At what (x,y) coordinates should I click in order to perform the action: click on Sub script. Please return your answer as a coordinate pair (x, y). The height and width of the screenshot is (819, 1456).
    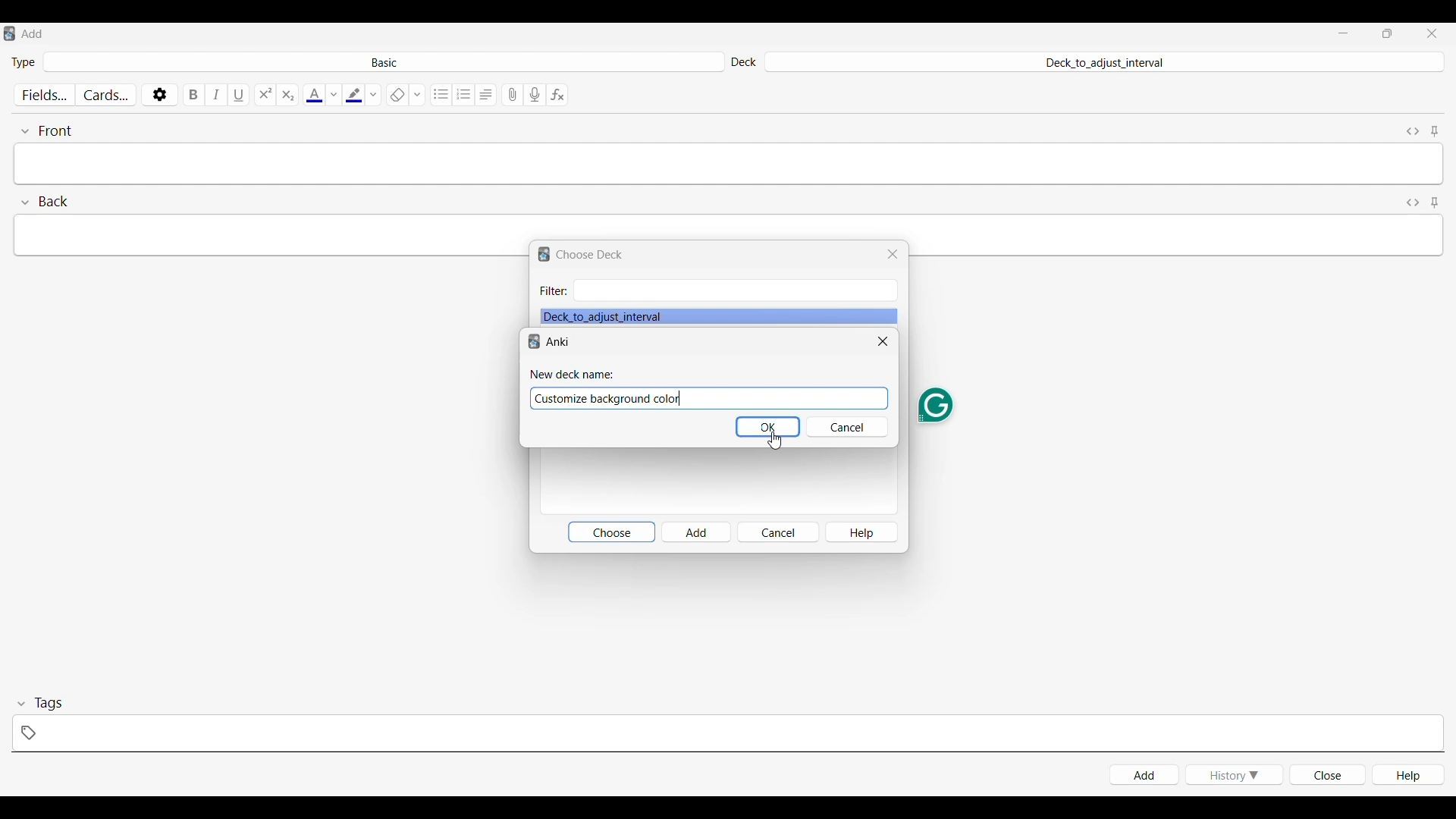
    Looking at the image, I should click on (287, 95).